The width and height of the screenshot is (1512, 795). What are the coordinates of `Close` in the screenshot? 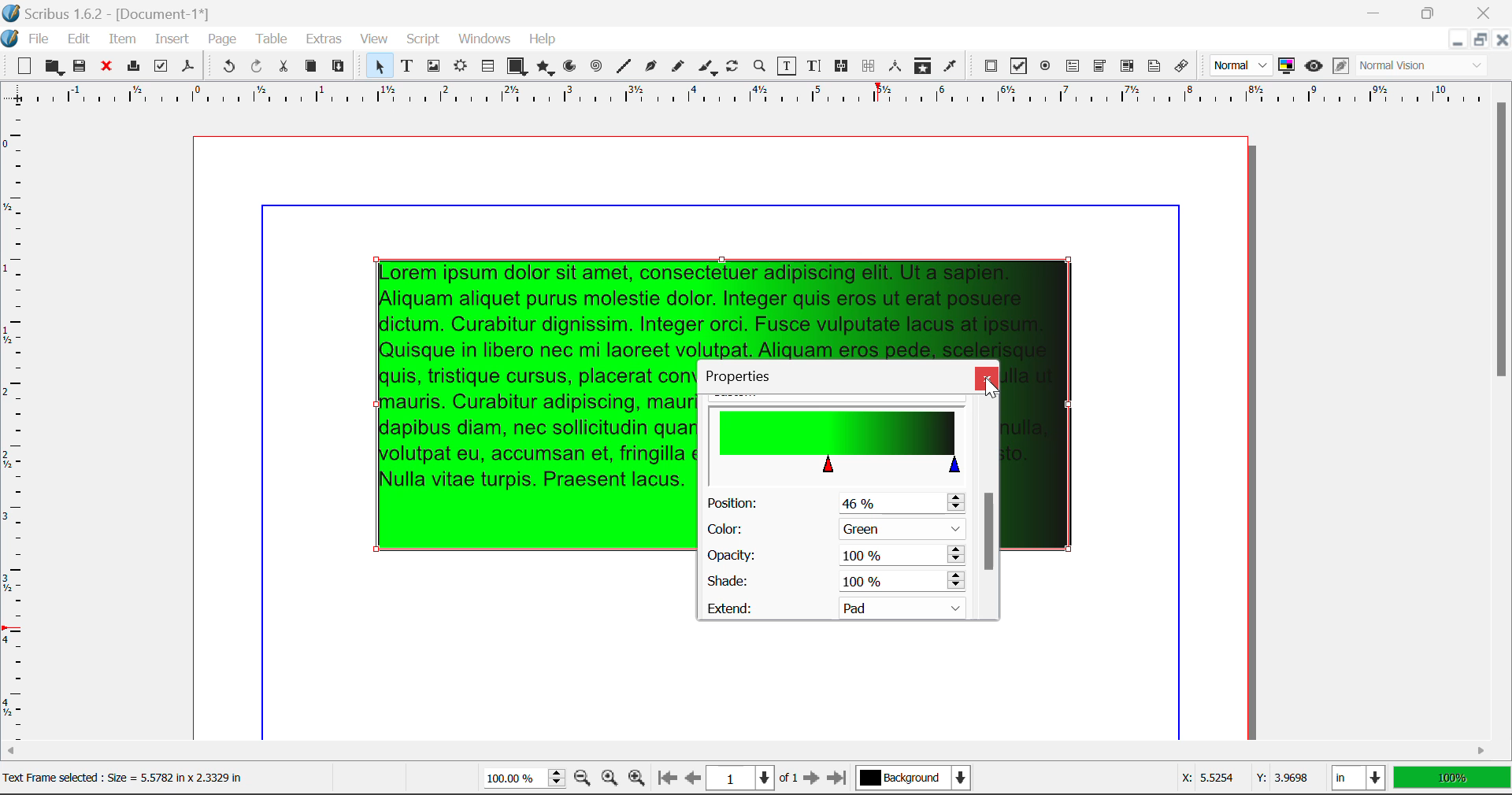 It's located at (1487, 11).